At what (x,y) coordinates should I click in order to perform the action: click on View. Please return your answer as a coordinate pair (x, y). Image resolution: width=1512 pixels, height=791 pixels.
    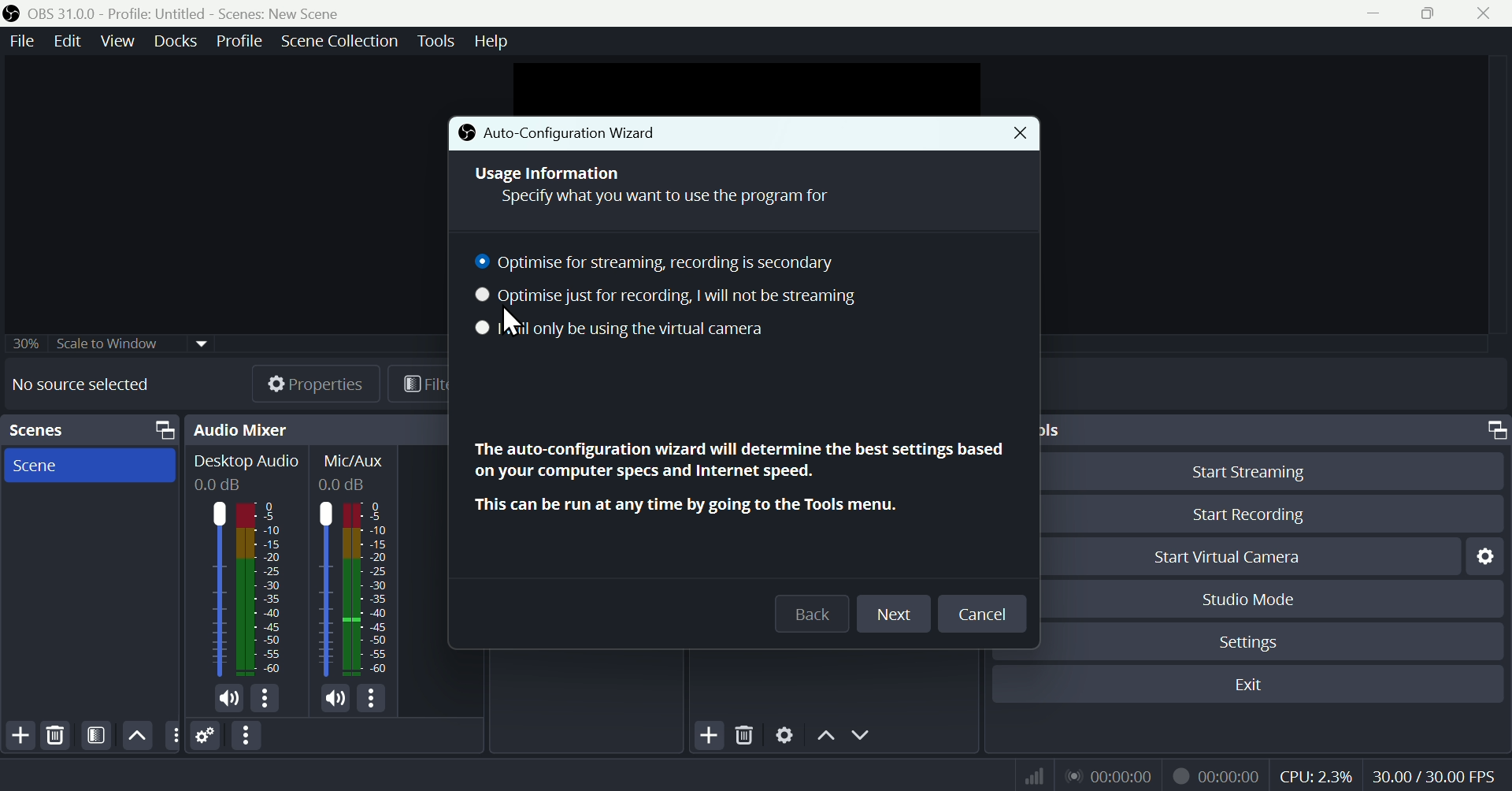
    Looking at the image, I should click on (114, 41).